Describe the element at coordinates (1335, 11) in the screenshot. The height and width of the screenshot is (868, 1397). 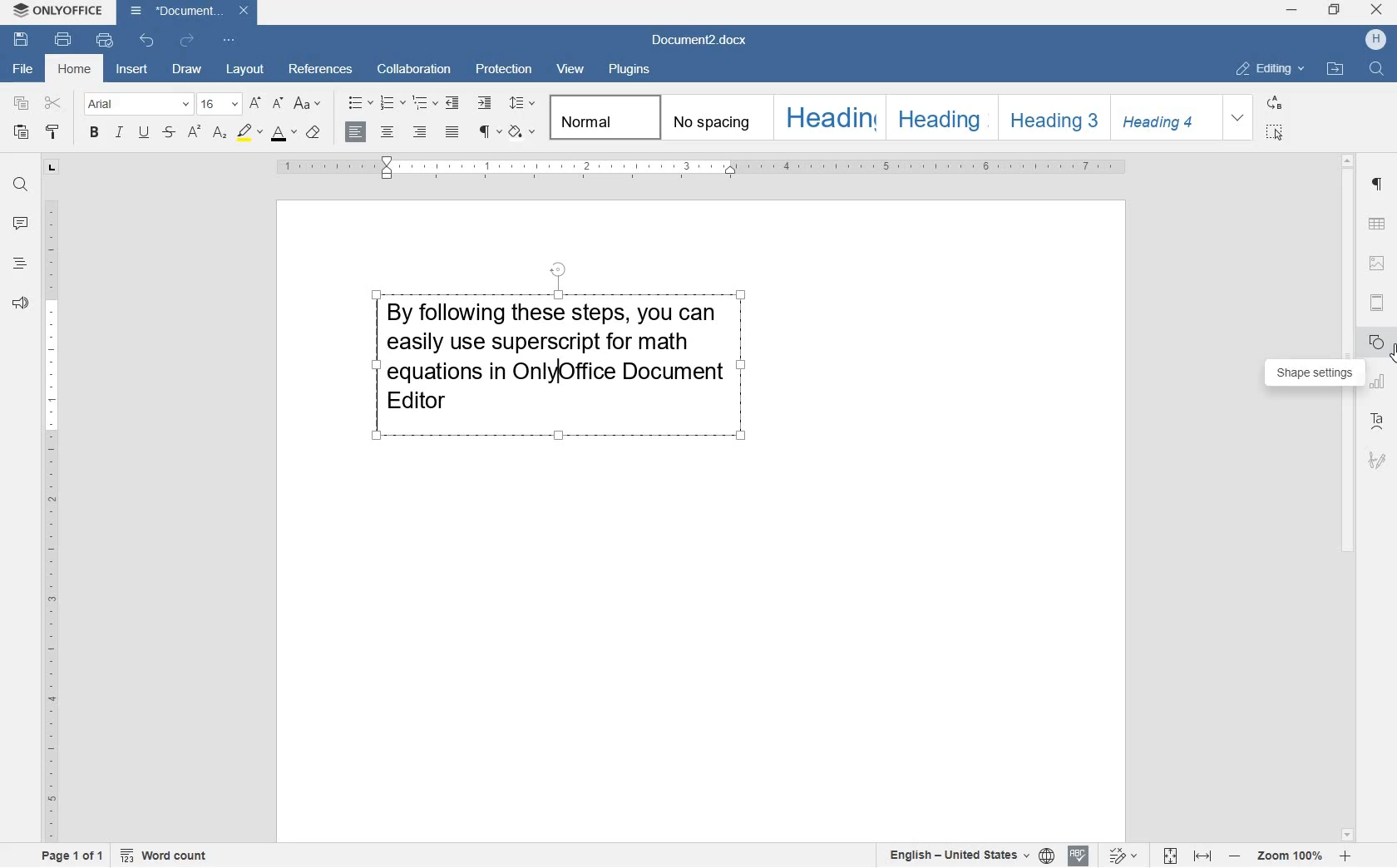
I see `restore` at that location.